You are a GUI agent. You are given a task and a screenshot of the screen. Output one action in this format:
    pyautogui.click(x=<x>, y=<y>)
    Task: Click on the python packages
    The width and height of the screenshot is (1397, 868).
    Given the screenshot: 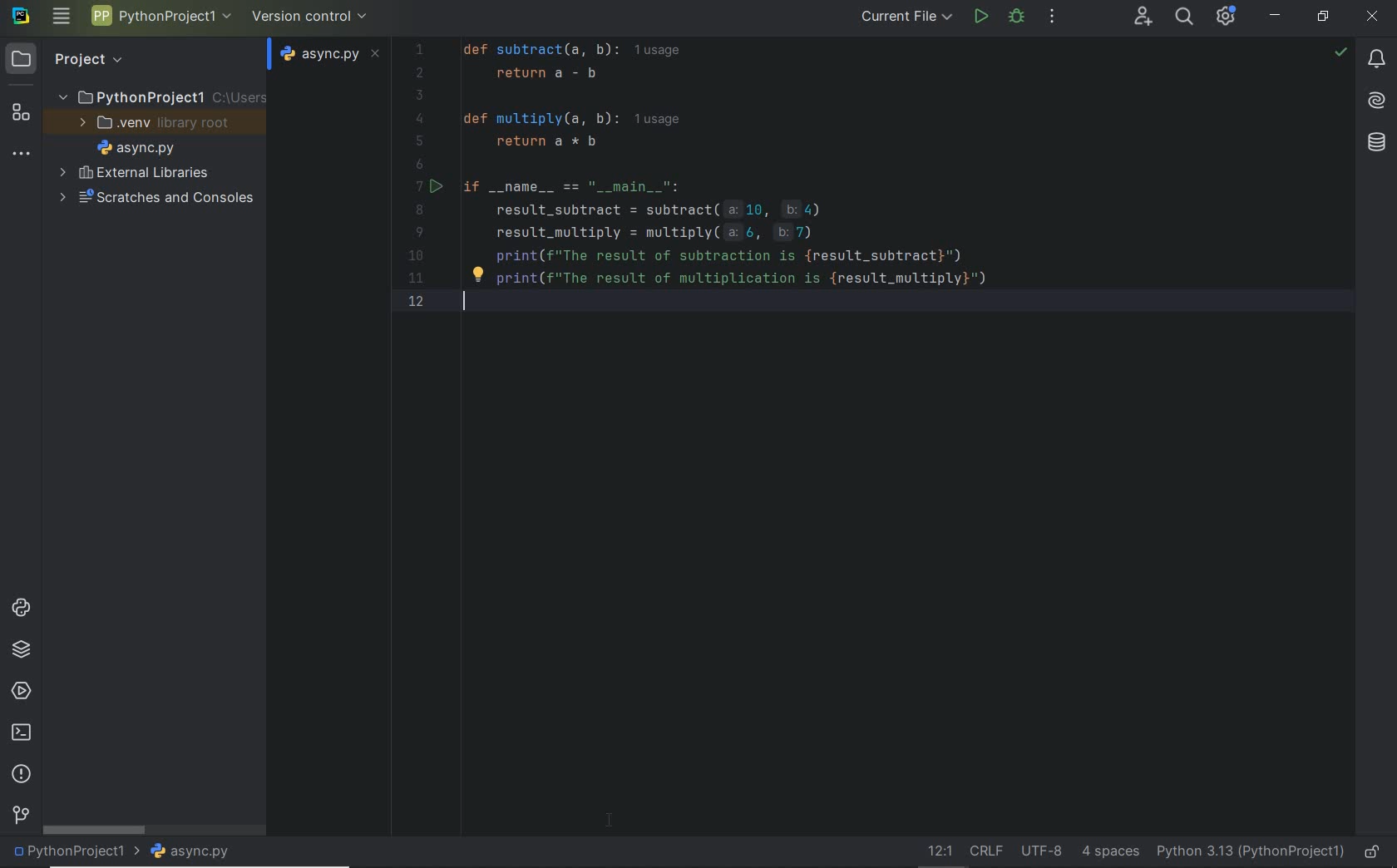 What is the action you would take?
    pyautogui.click(x=21, y=651)
    